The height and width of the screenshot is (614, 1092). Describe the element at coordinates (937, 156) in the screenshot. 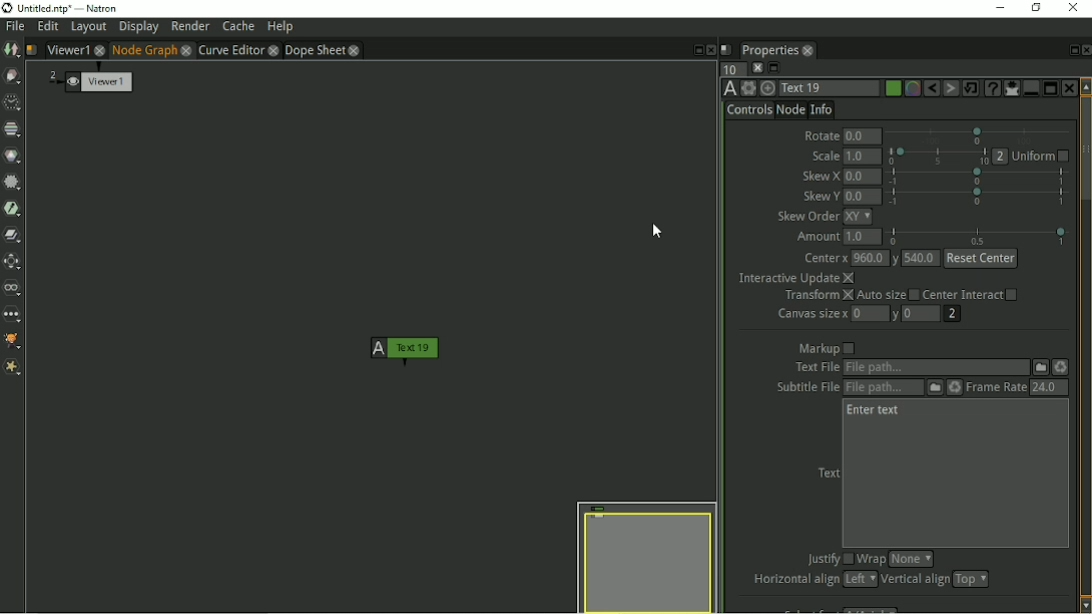

I see `selection bar` at that location.